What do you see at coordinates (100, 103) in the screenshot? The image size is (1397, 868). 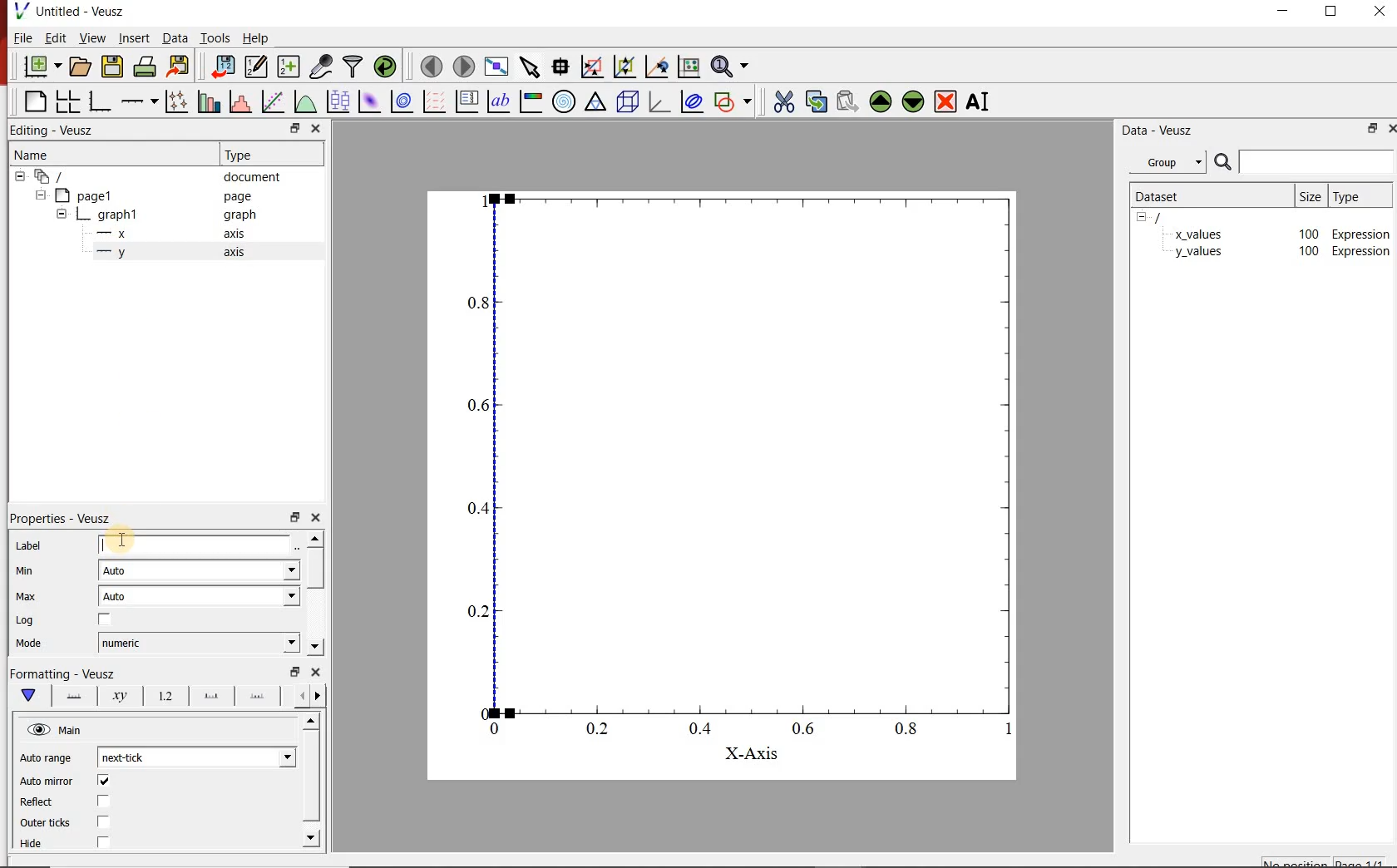 I see `bar graph` at bounding box center [100, 103].